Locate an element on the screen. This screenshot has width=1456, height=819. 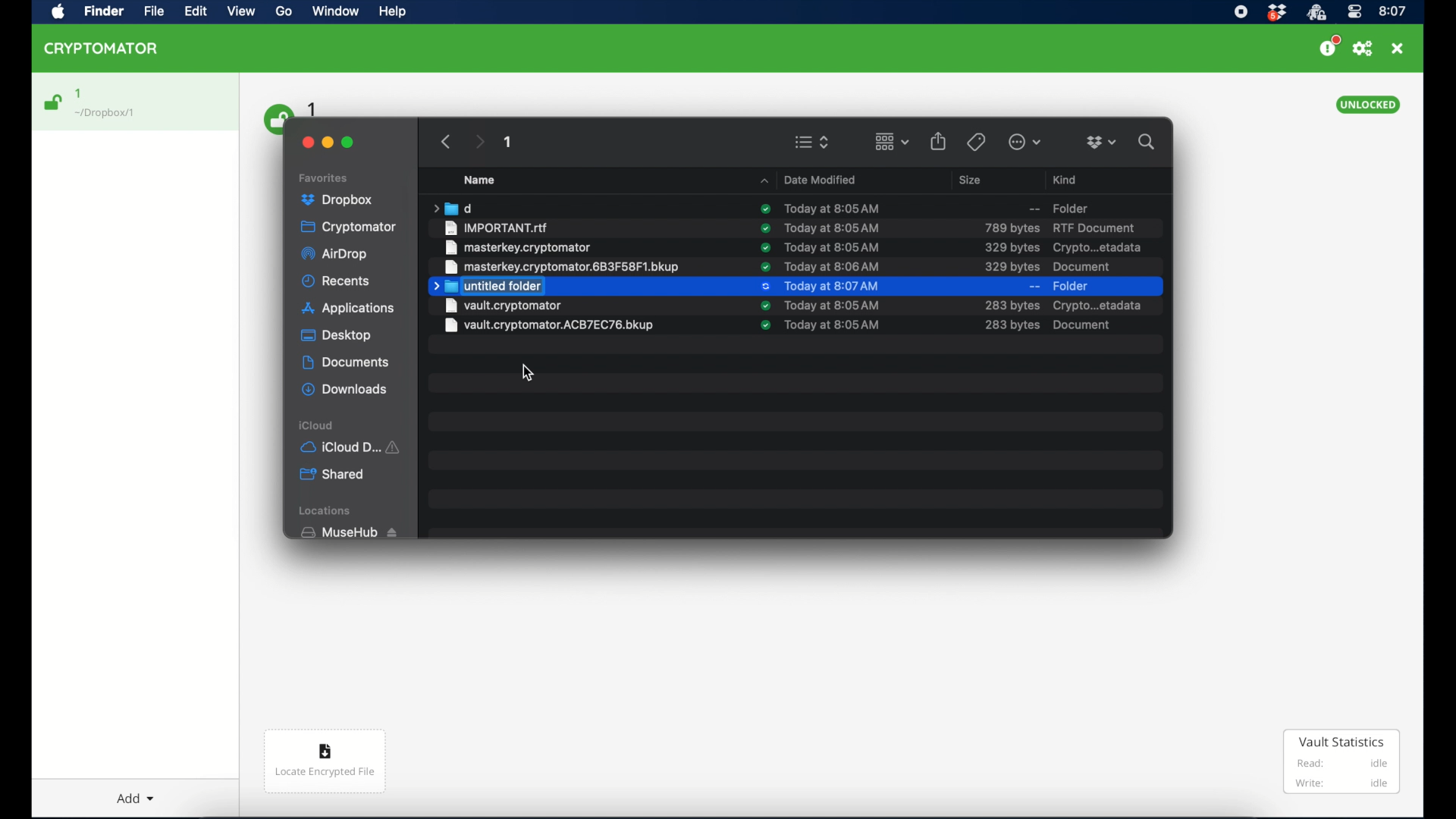
date is located at coordinates (832, 287).